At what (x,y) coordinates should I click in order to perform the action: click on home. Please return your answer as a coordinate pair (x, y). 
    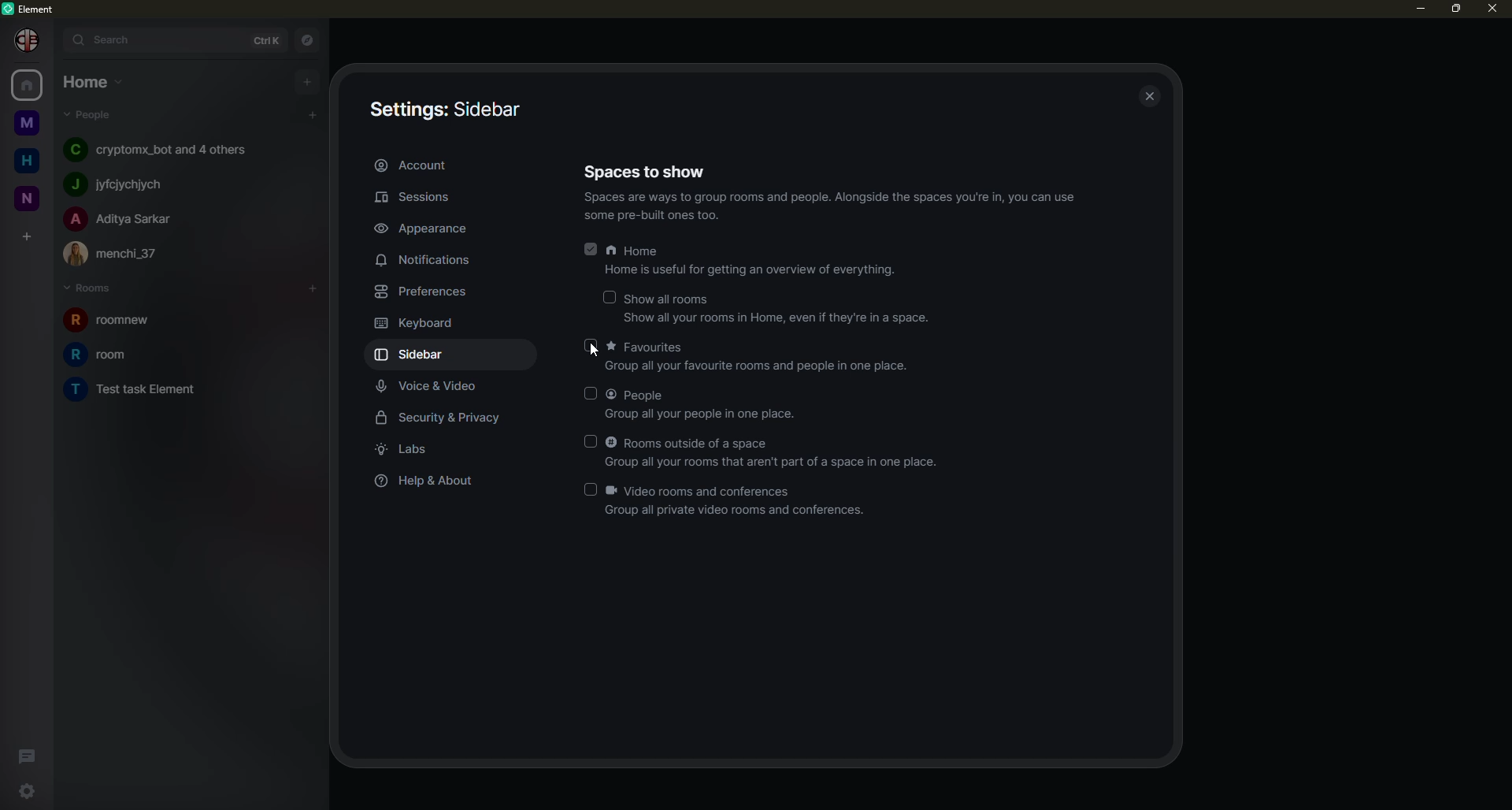
    Looking at the image, I should click on (757, 262).